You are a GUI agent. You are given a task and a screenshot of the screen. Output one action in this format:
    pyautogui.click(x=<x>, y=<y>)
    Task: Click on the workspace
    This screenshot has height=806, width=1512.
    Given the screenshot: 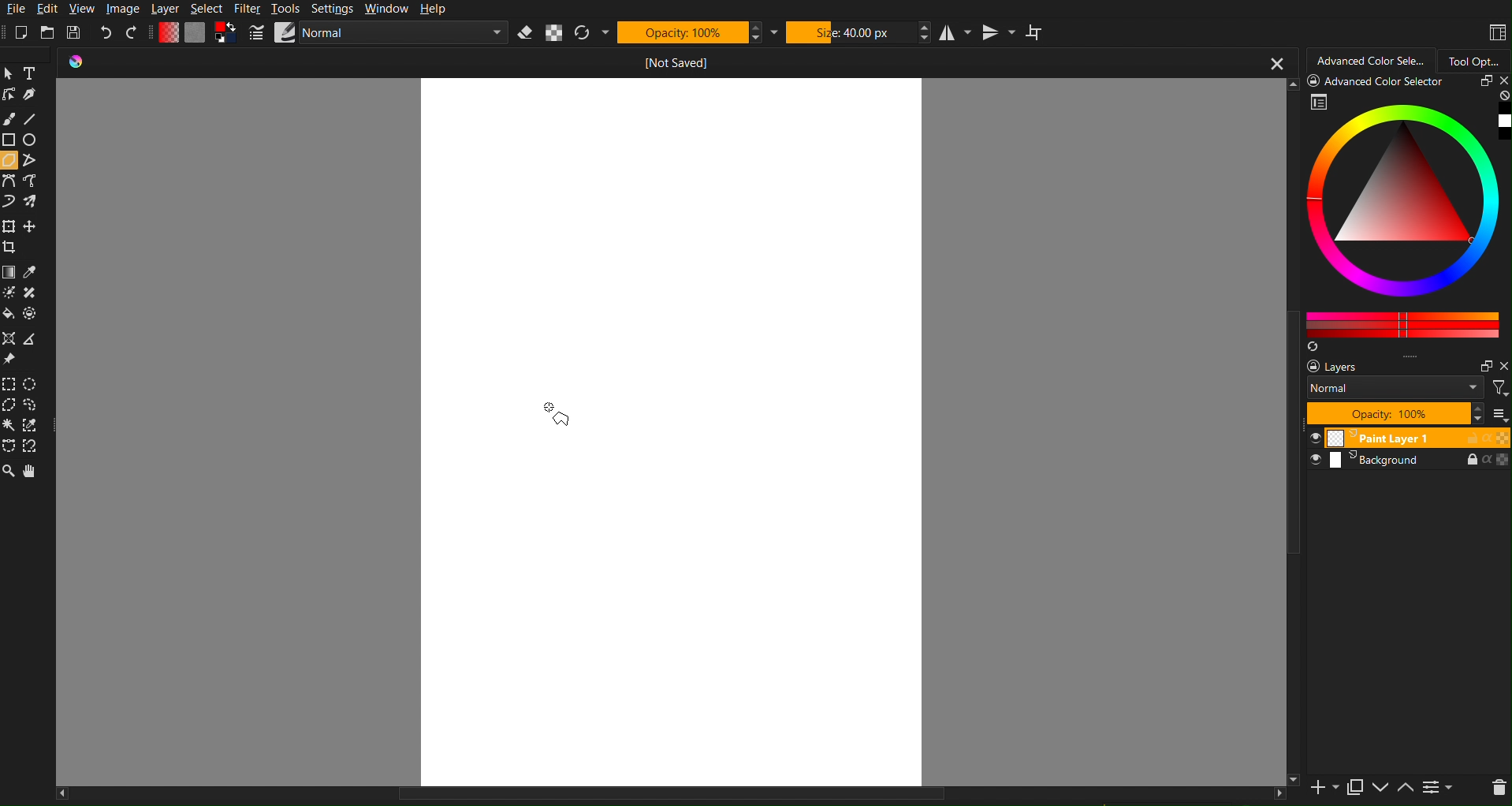 What is the action you would take?
    pyautogui.click(x=666, y=433)
    